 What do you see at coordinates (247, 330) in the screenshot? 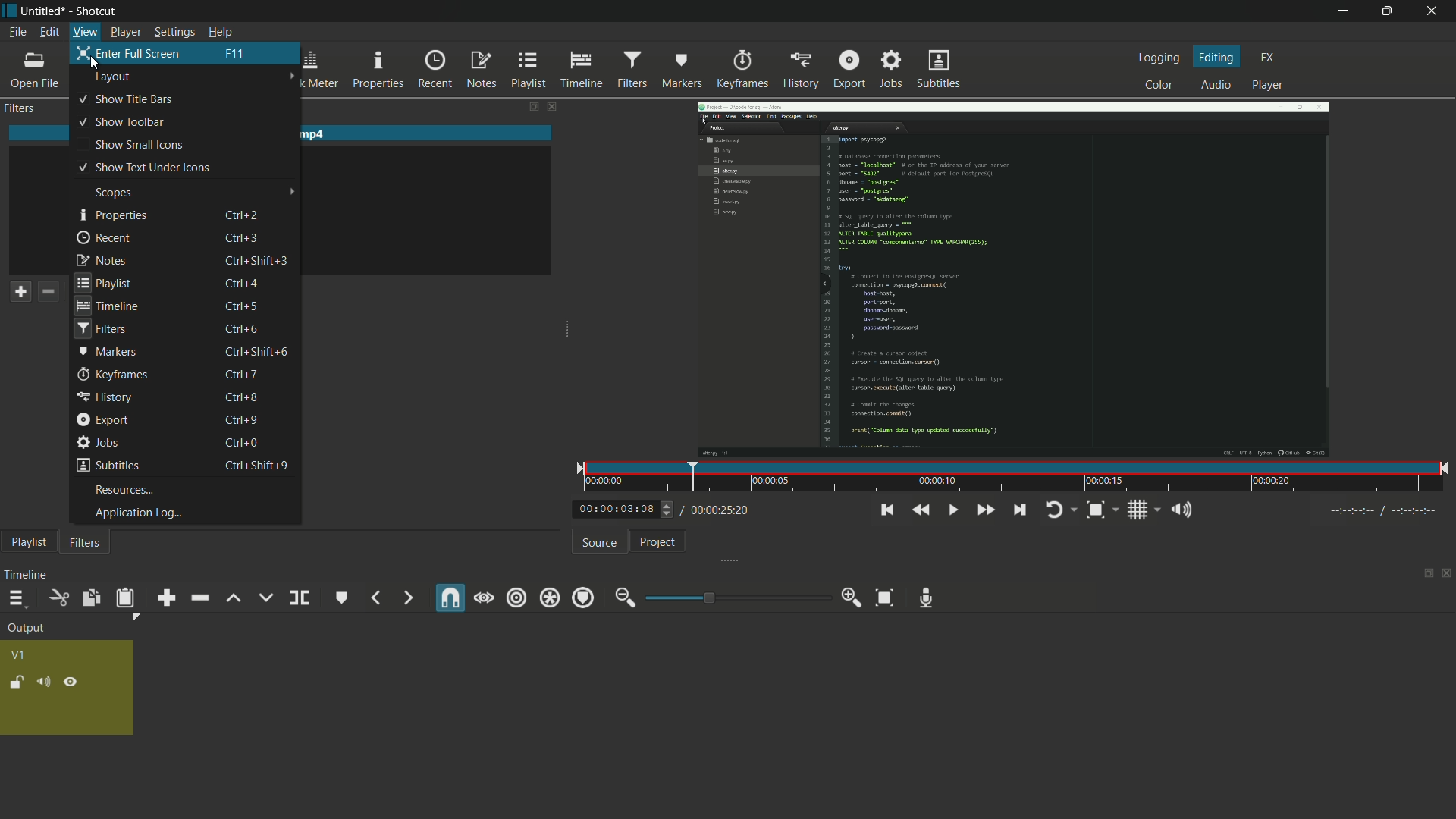
I see `Ctrl+6` at bounding box center [247, 330].